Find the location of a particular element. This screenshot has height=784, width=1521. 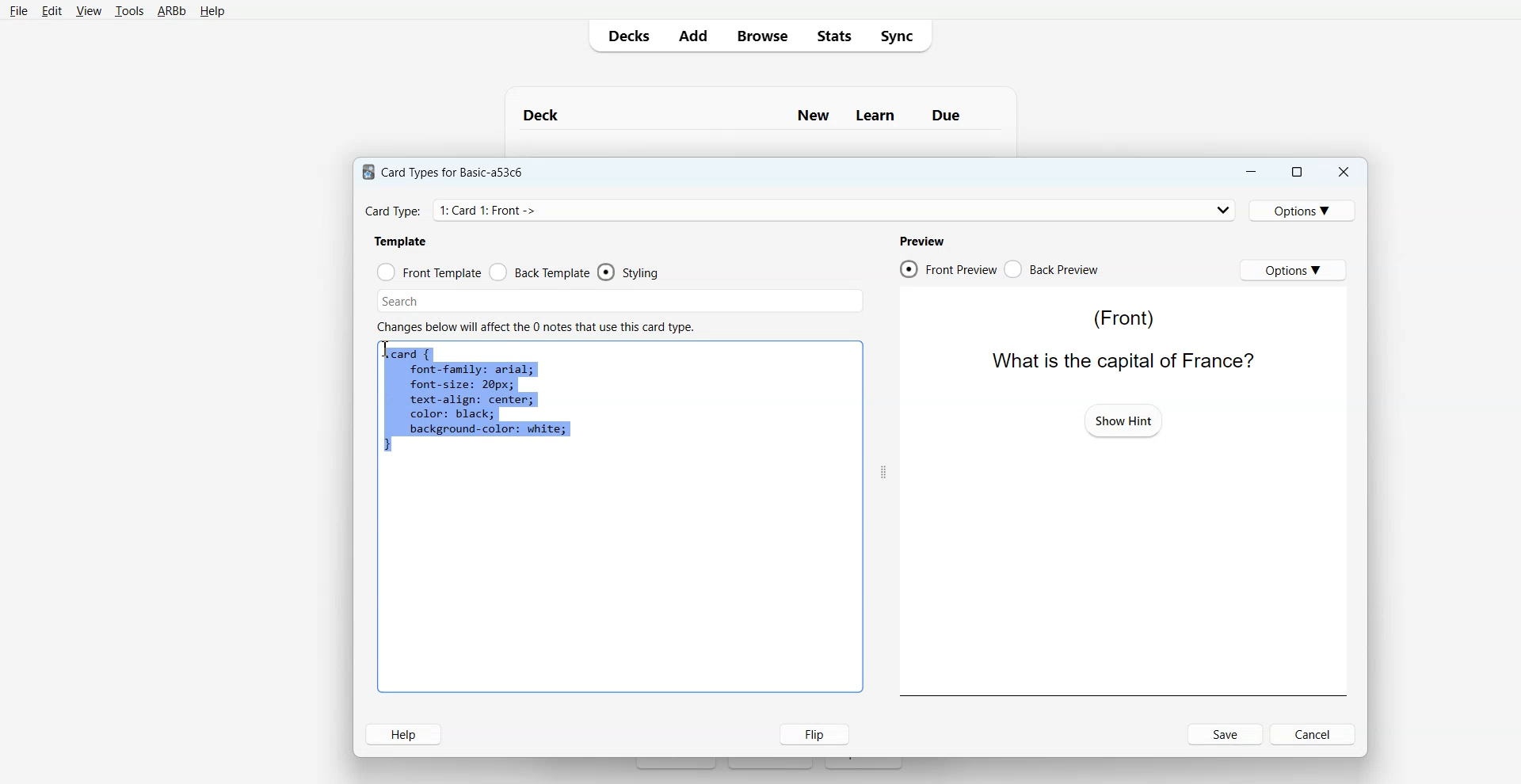

Card Types for Basic-a53c6 is located at coordinates (444, 171).